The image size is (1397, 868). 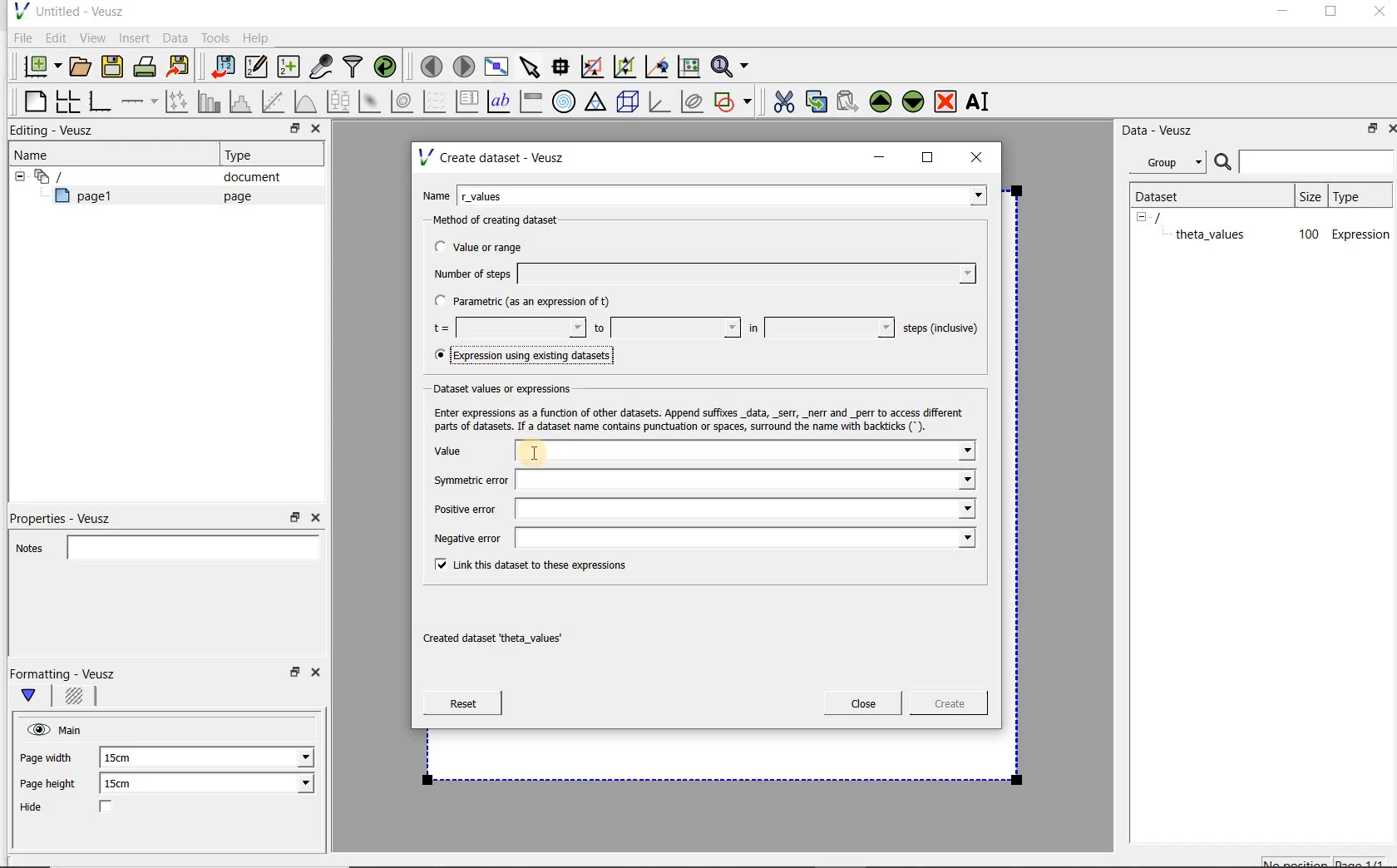 I want to click on ternary graph, so click(x=597, y=102).